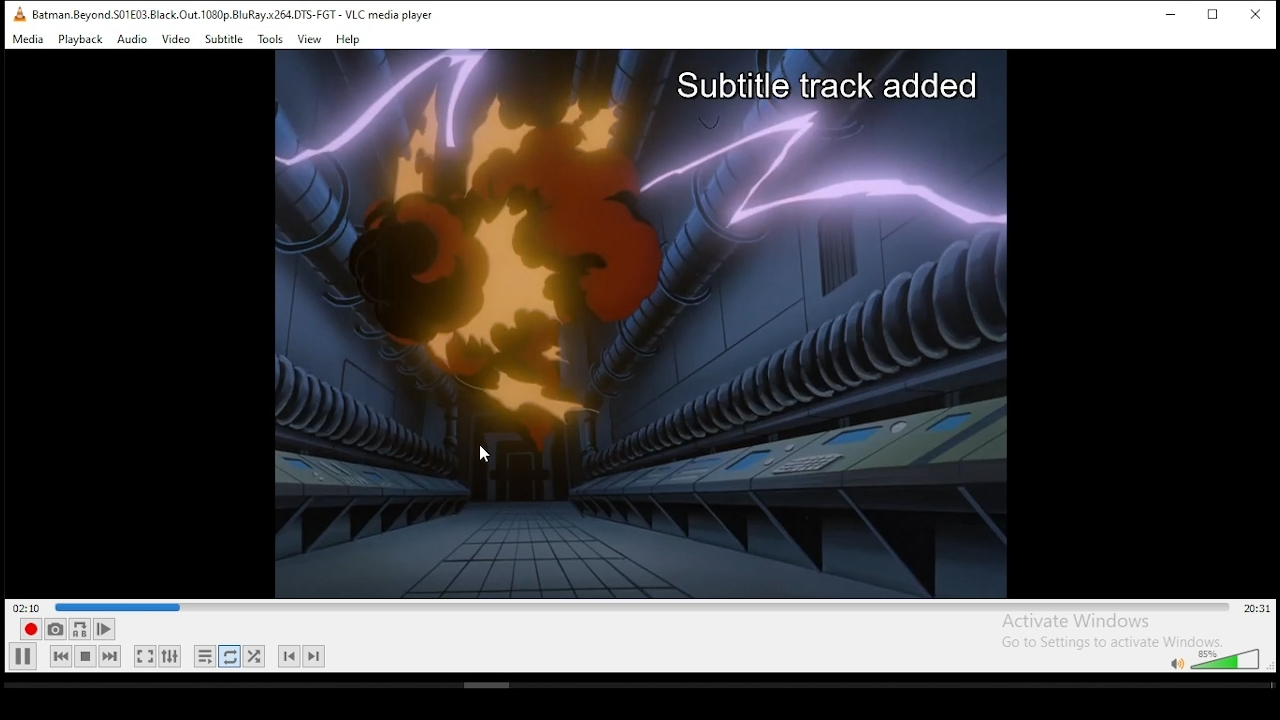  Describe the element at coordinates (229, 656) in the screenshot. I see `click to toggle between loop all, loop one, and no loop` at that location.